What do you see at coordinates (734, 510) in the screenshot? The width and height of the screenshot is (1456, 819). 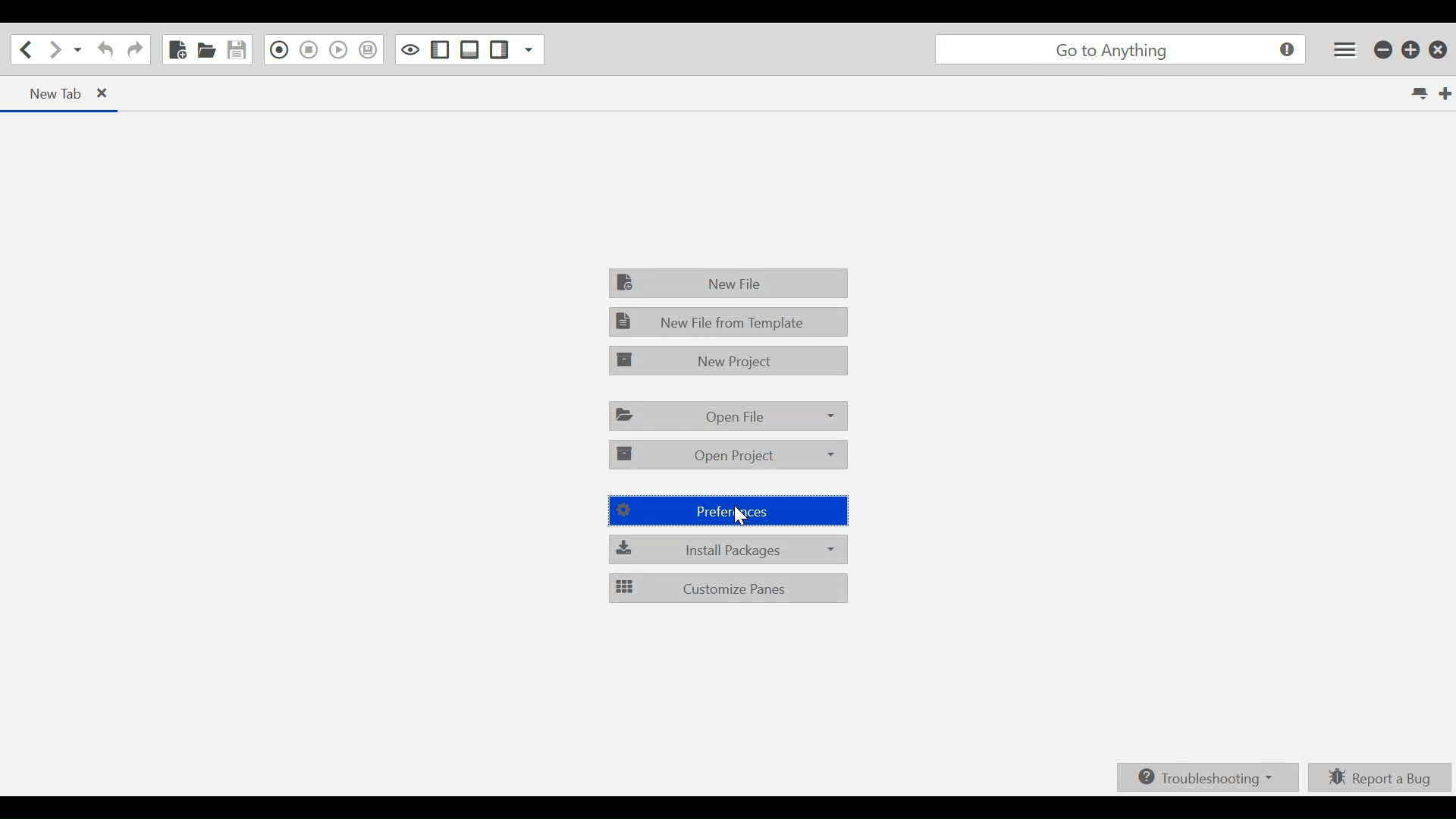 I see `Preferences` at bounding box center [734, 510].